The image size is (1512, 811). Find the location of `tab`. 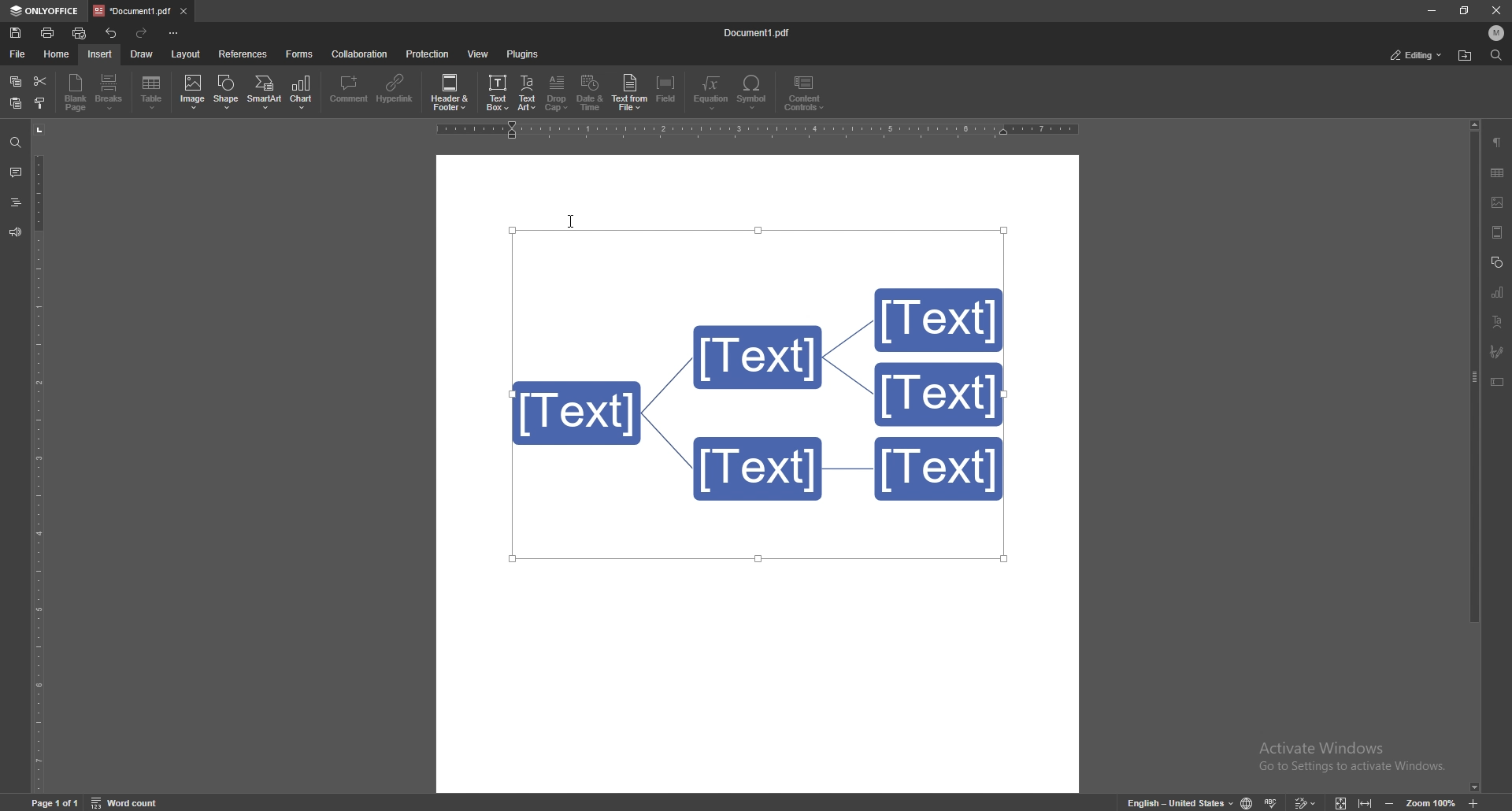

tab is located at coordinates (132, 11).